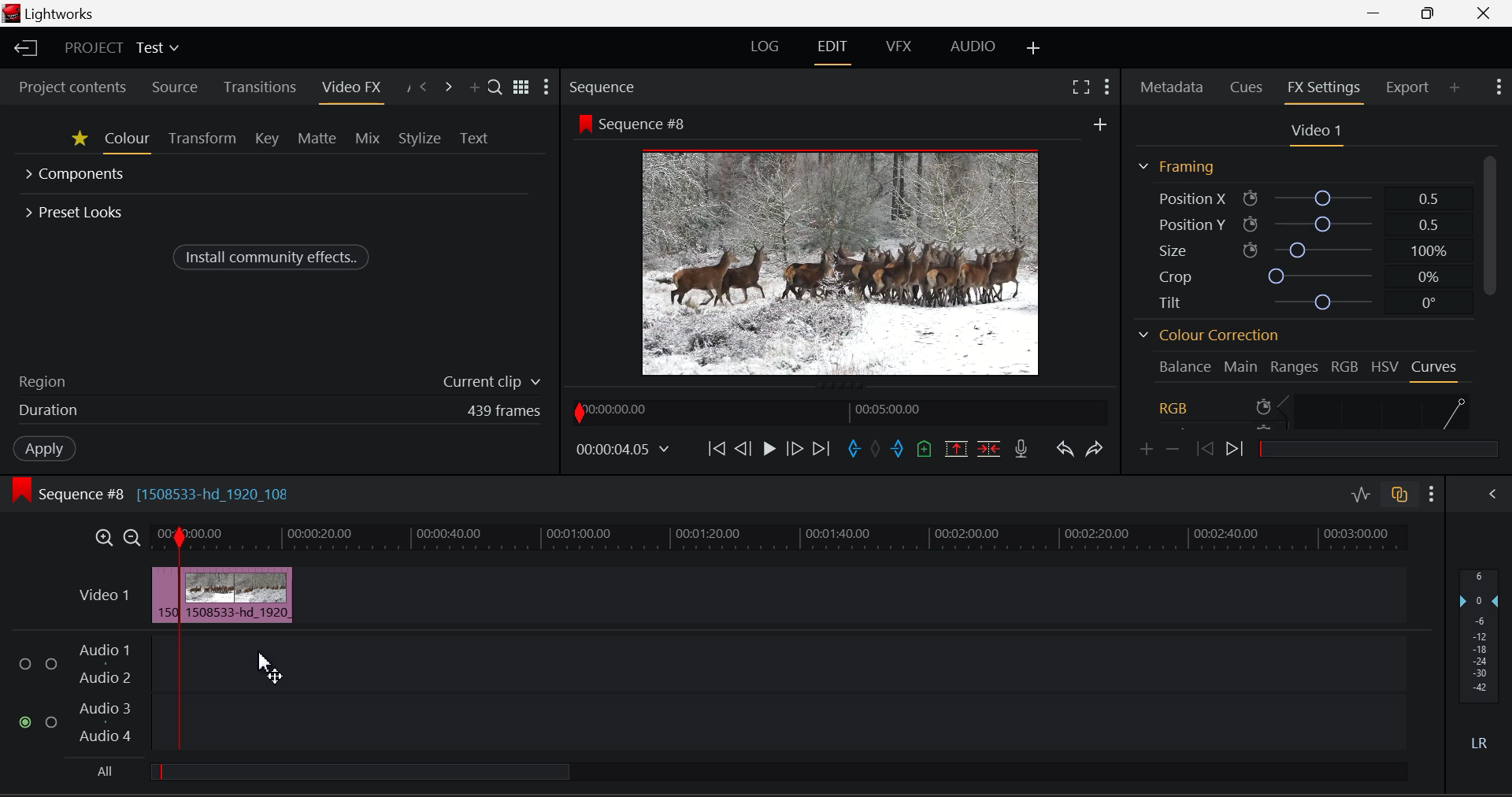 The height and width of the screenshot is (797, 1512). Describe the element at coordinates (1206, 335) in the screenshot. I see `Colour Correction` at that location.